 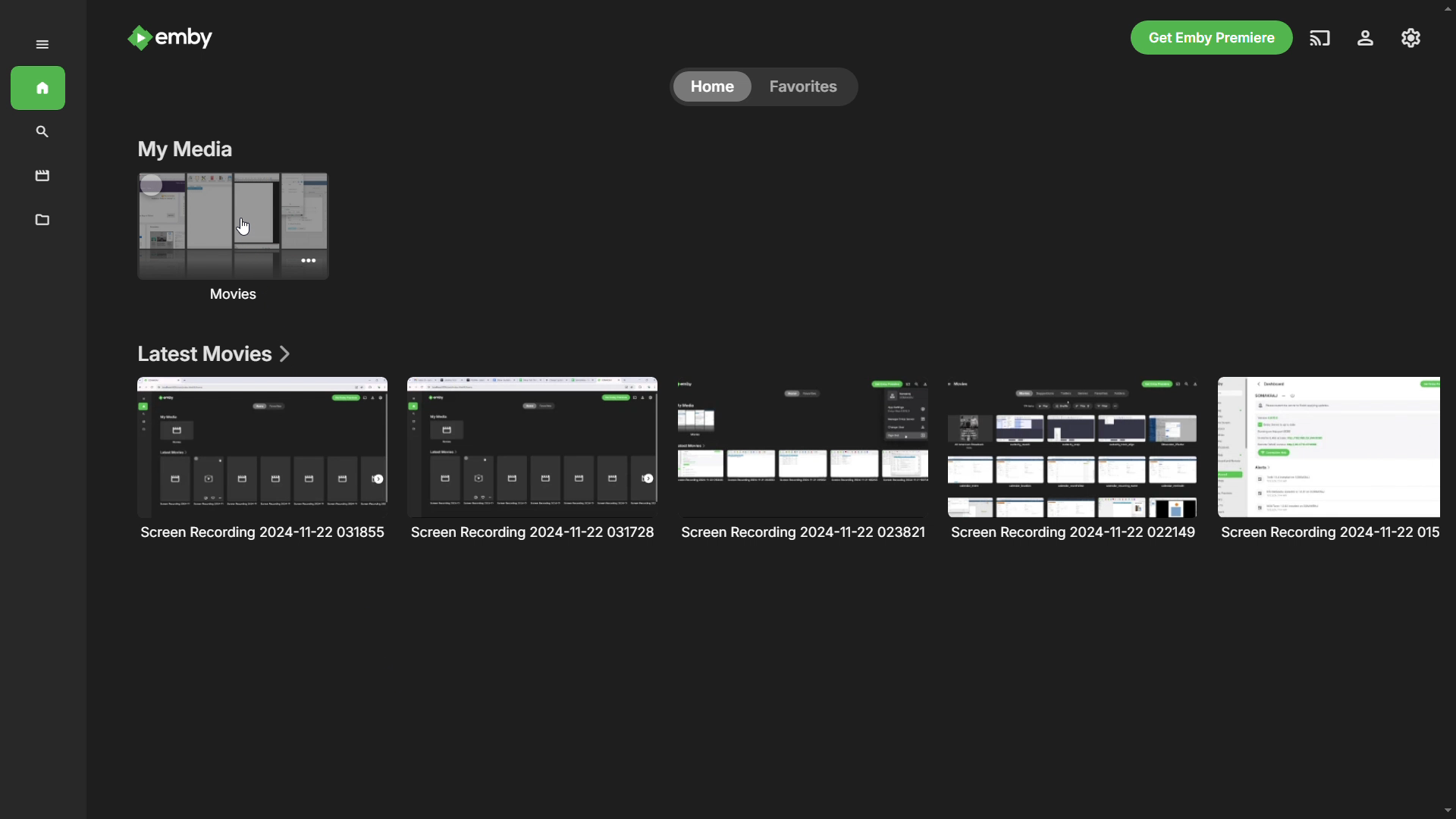 What do you see at coordinates (1447, 8) in the screenshot?
I see `scroll up` at bounding box center [1447, 8].